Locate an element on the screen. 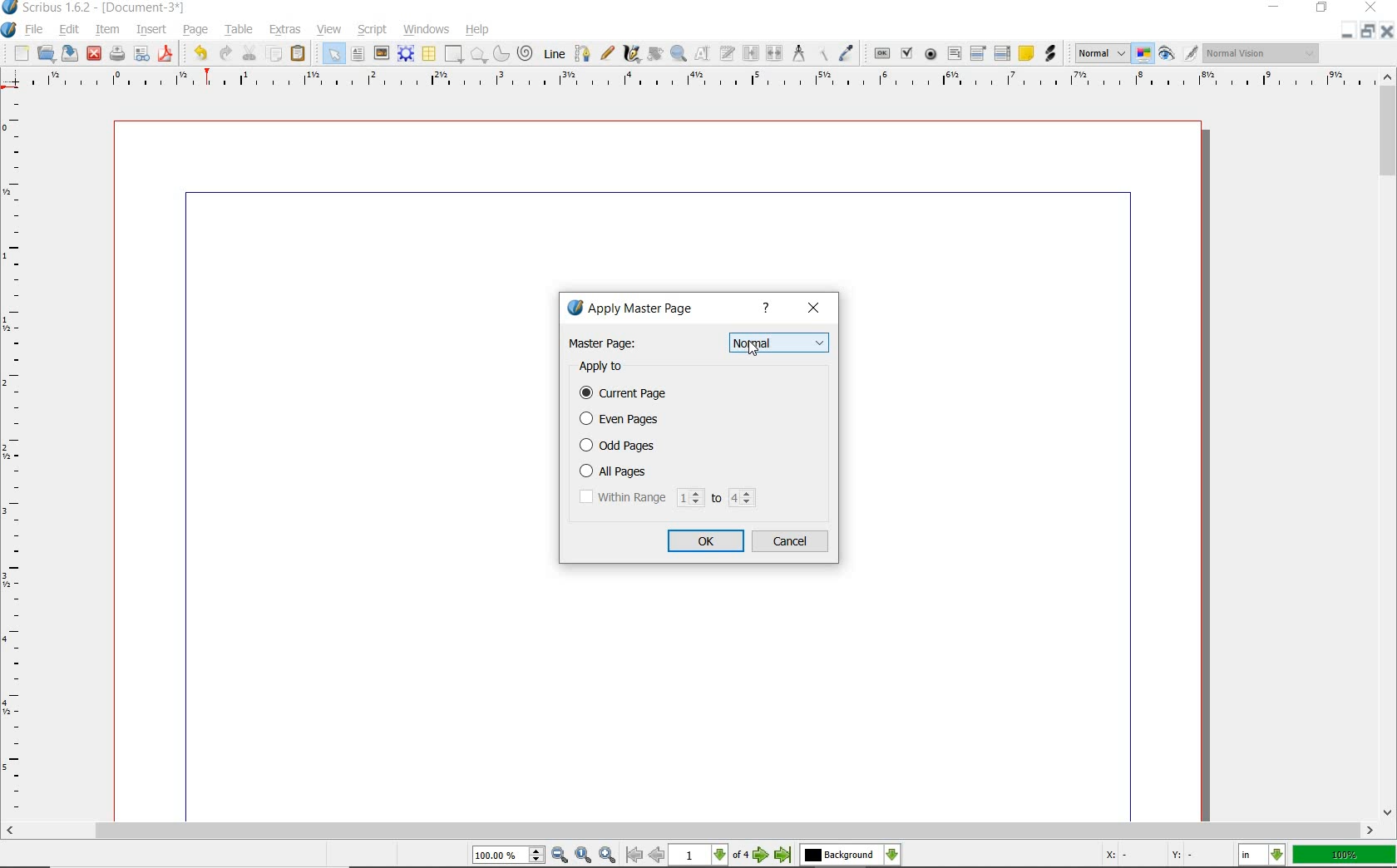 The width and height of the screenshot is (1397, 868). unlink text frames is located at coordinates (775, 55).